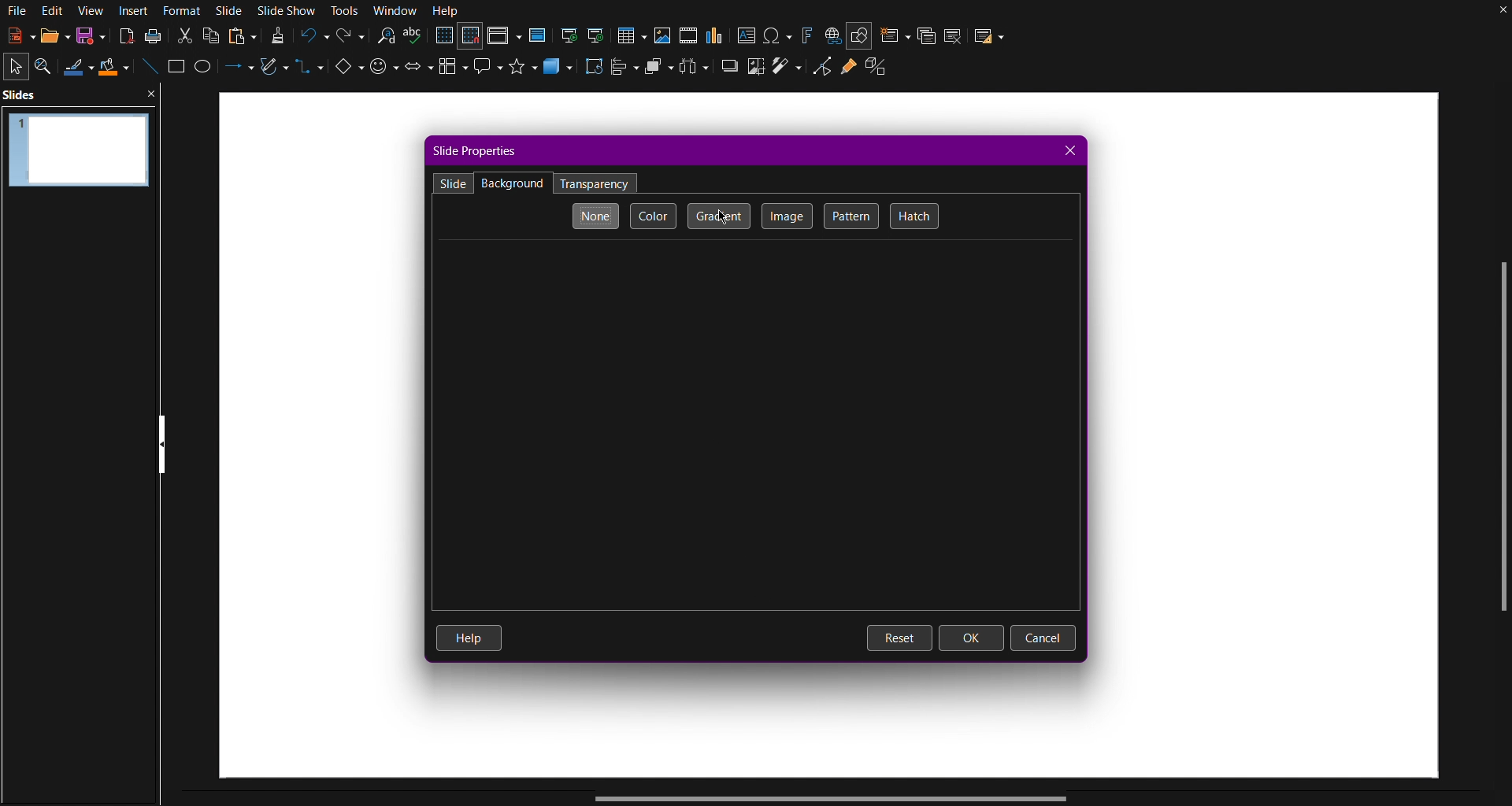 The height and width of the screenshot is (806, 1512). I want to click on Pattern, so click(850, 216).